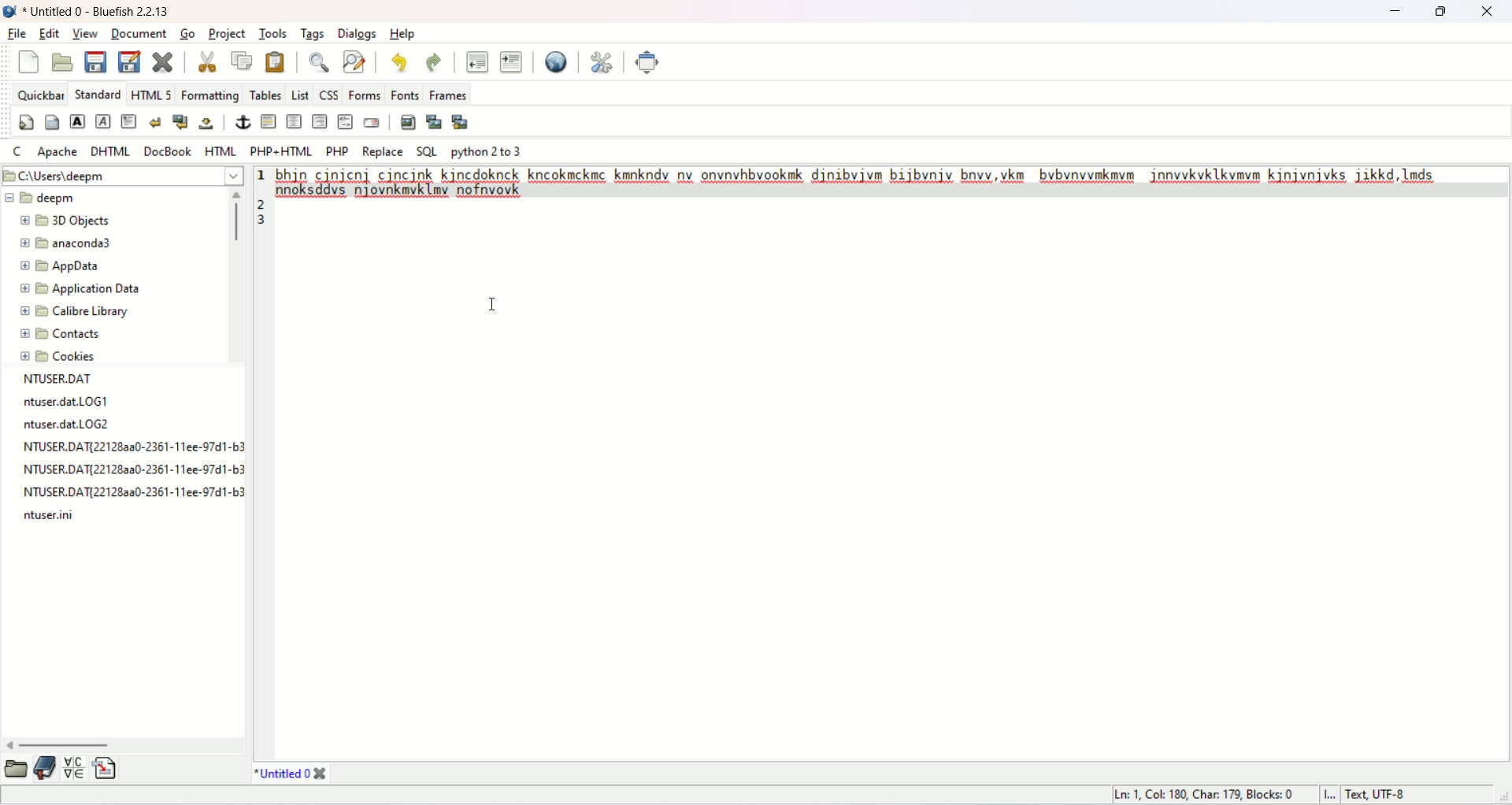  What do you see at coordinates (1333, 795) in the screenshot?
I see `I` at bounding box center [1333, 795].